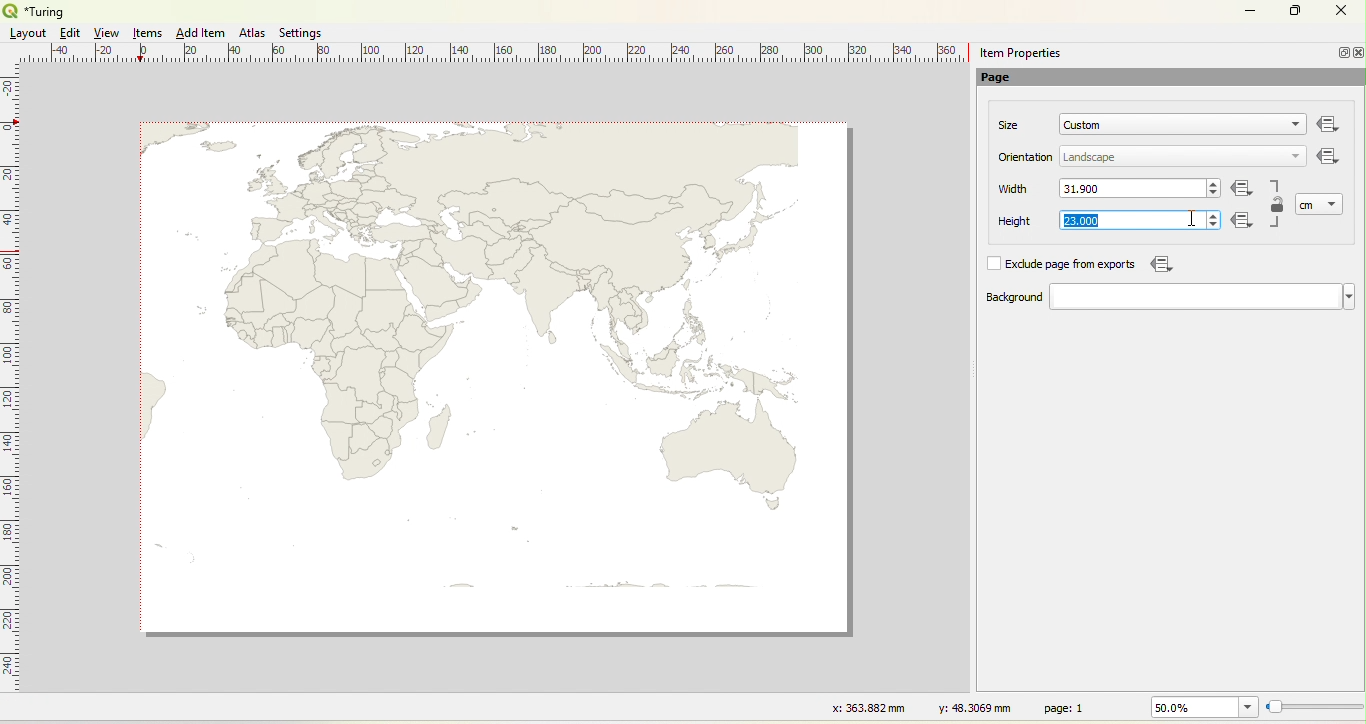  I want to click on Icon, so click(1246, 222).